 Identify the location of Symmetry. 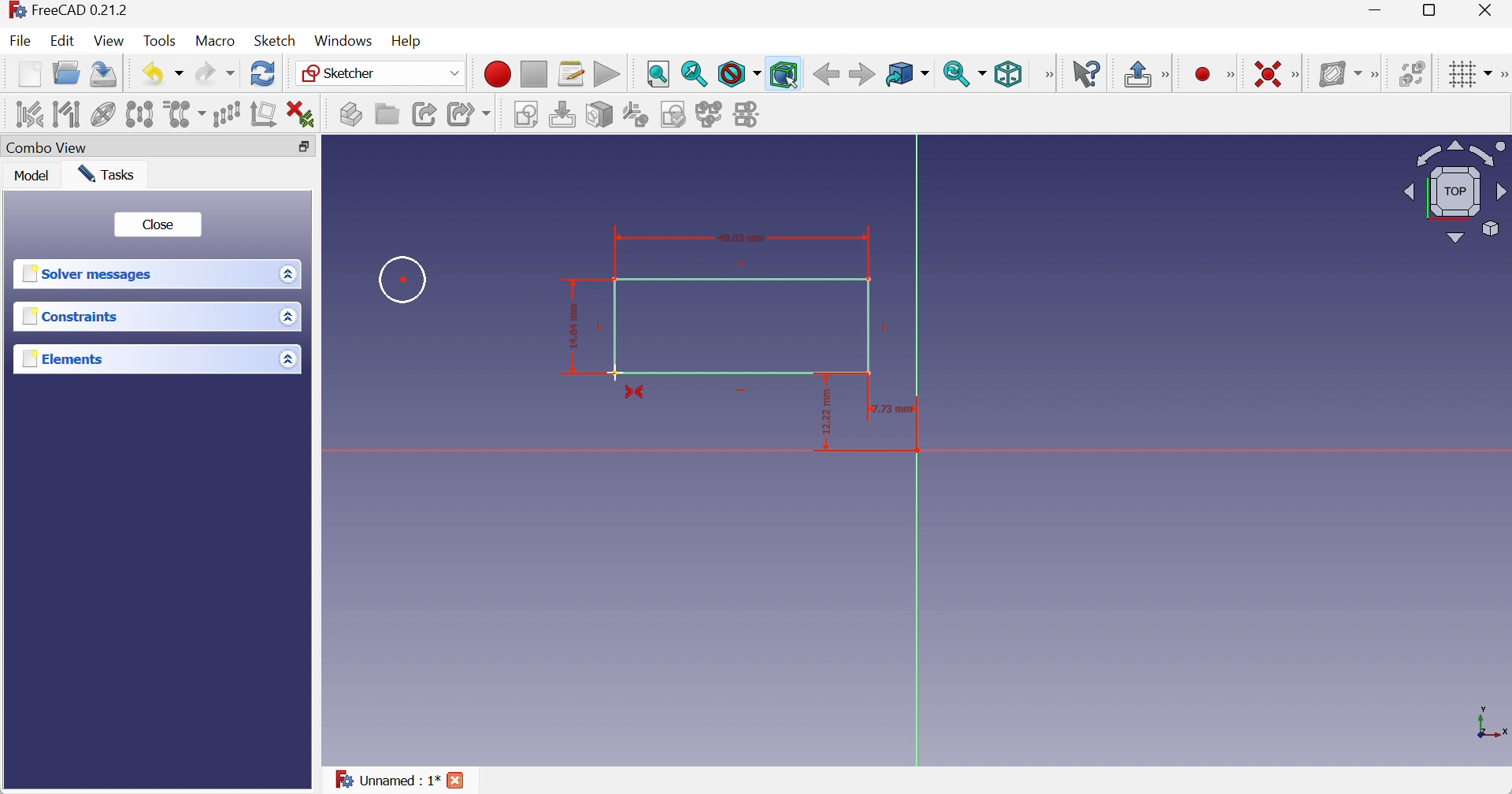
(143, 113).